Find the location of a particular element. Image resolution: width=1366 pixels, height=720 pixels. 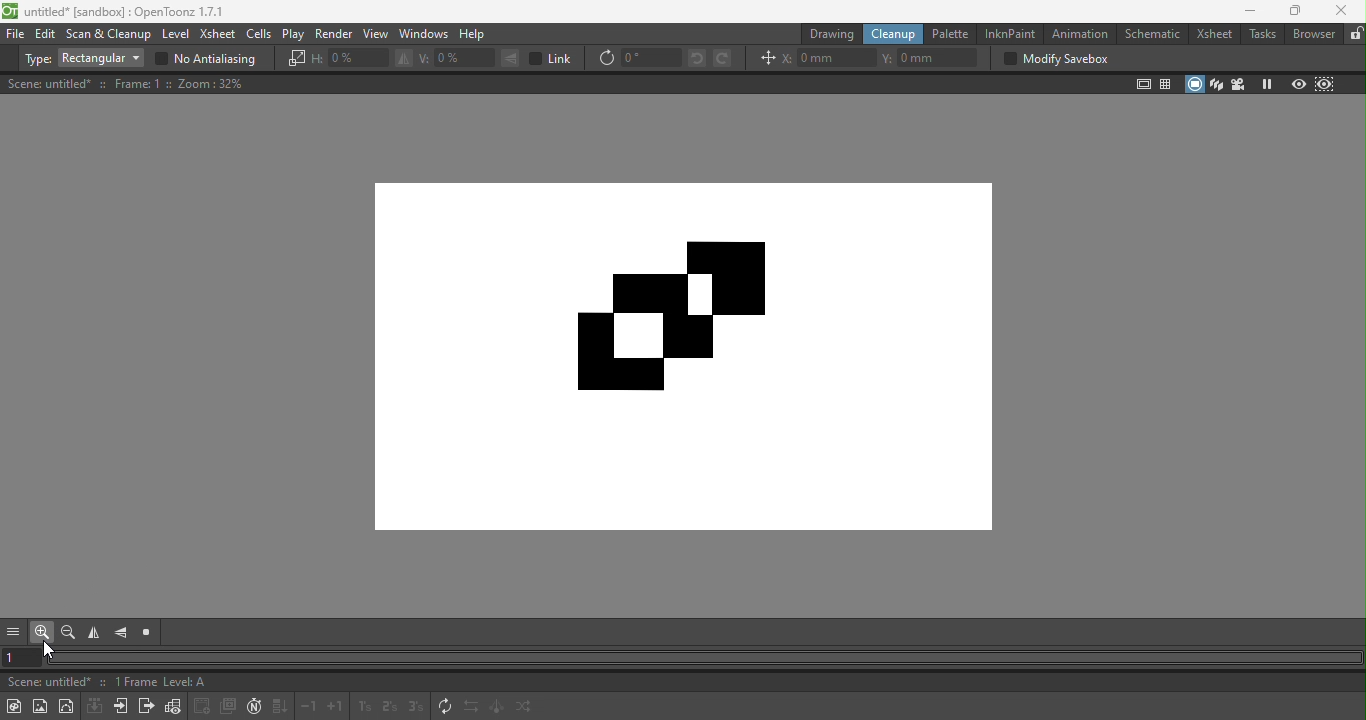

Drawing is located at coordinates (829, 34).